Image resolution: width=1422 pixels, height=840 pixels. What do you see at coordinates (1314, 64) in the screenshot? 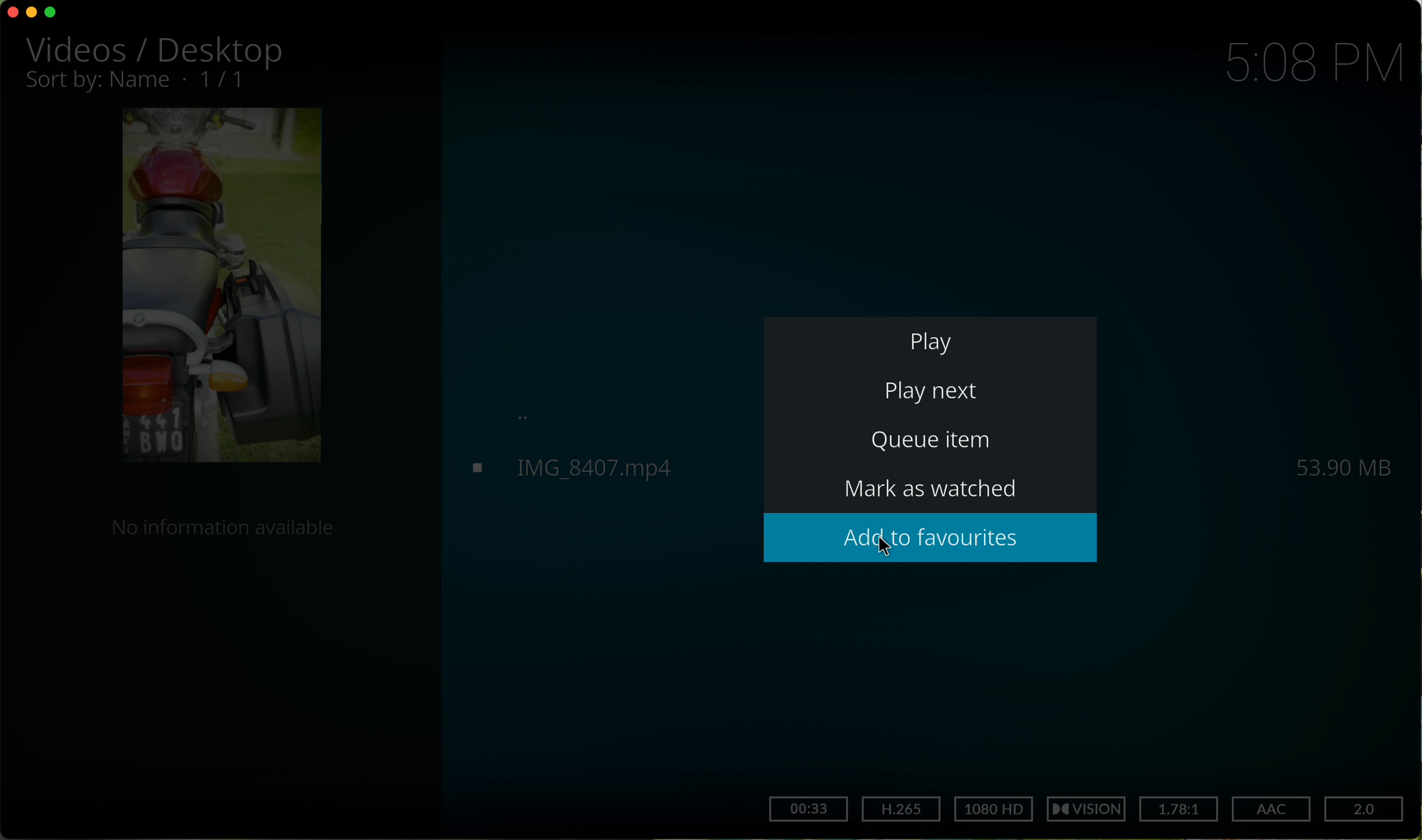
I see `5:08 PM` at bounding box center [1314, 64].